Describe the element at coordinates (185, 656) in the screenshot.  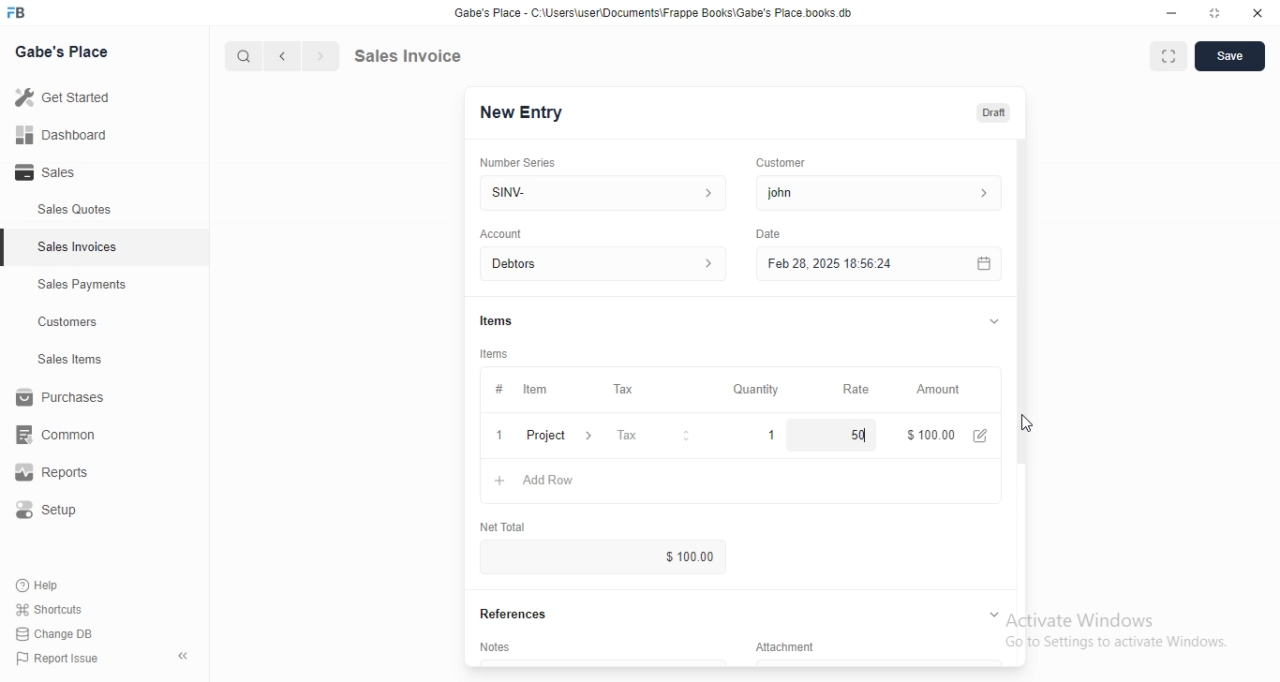
I see `collapse` at that location.